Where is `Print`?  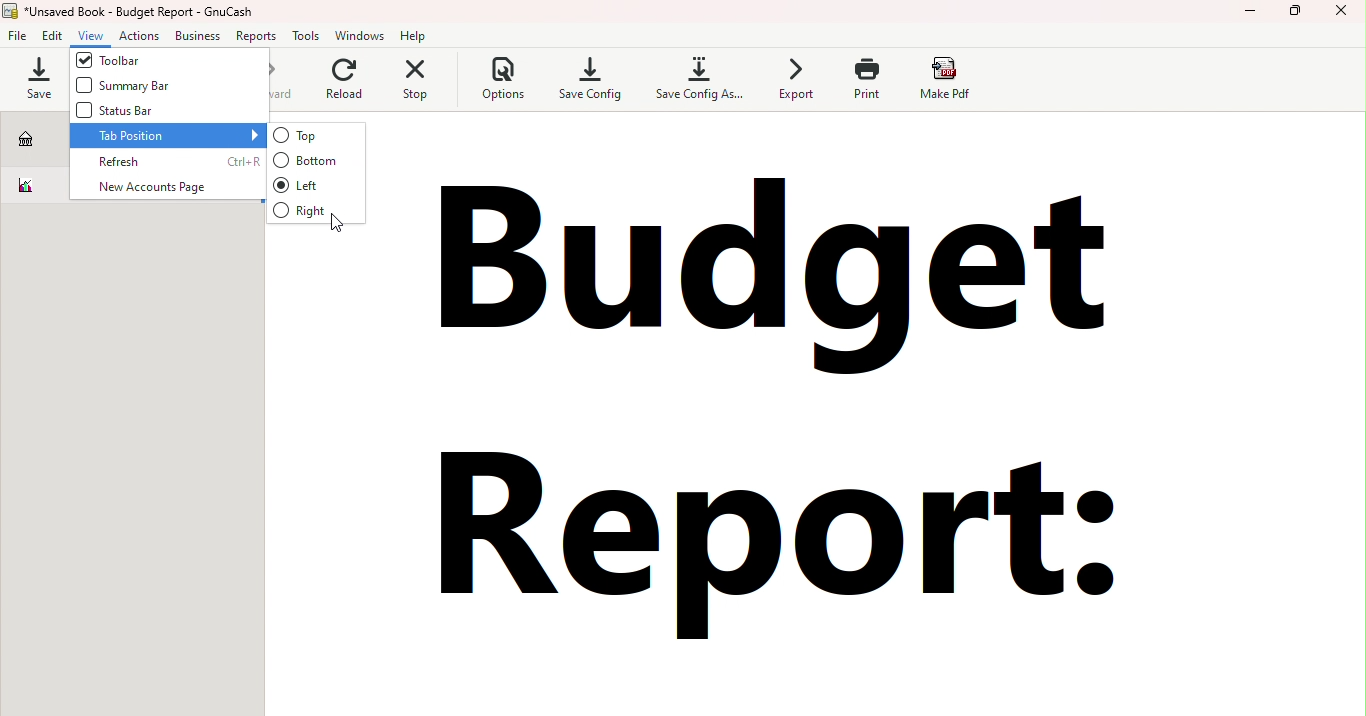
Print is located at coordinates (862, 80).